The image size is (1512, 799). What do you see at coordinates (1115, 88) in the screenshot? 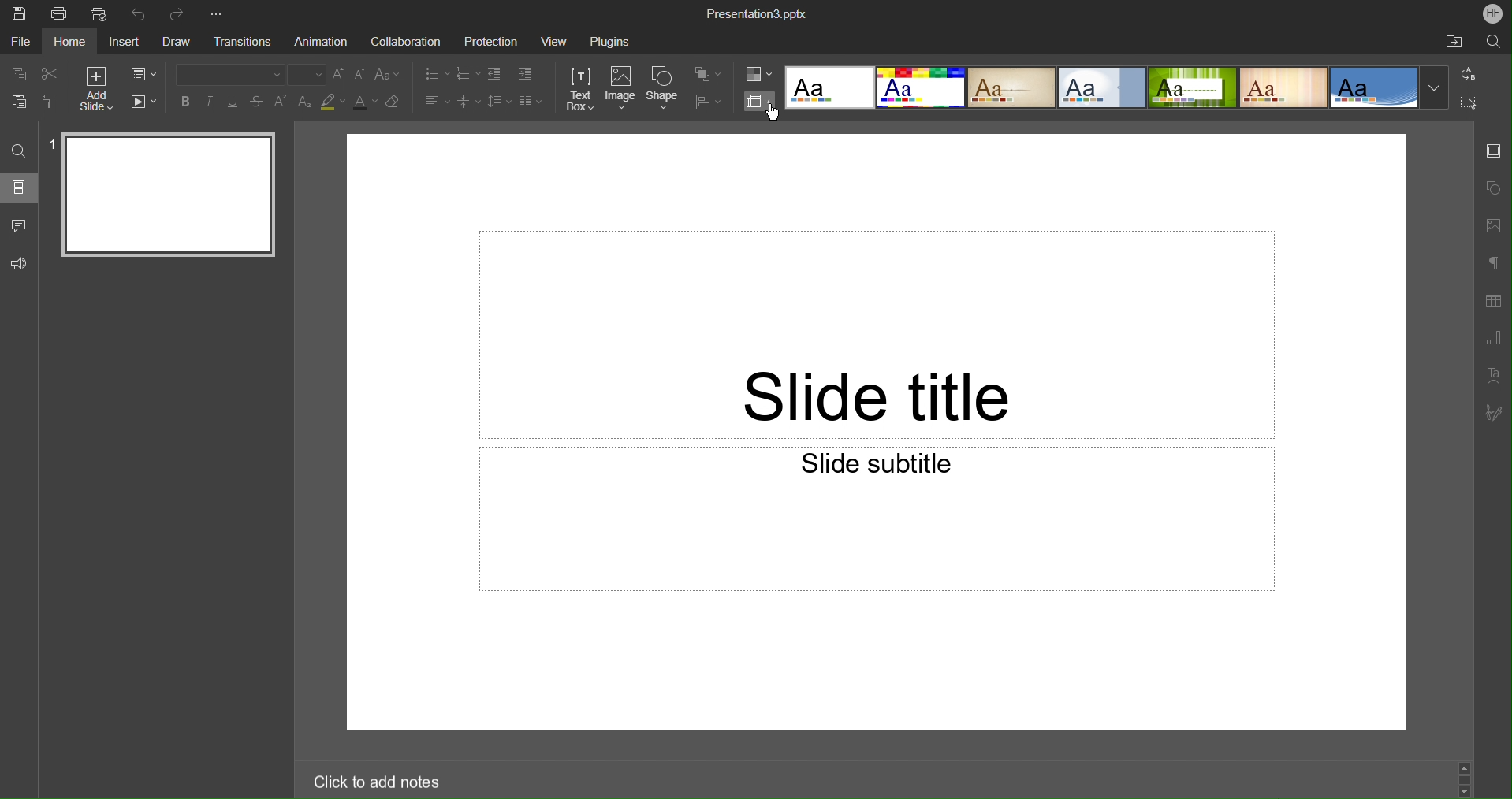
I see `Slide Templates` at bounding box center [1115, 88].